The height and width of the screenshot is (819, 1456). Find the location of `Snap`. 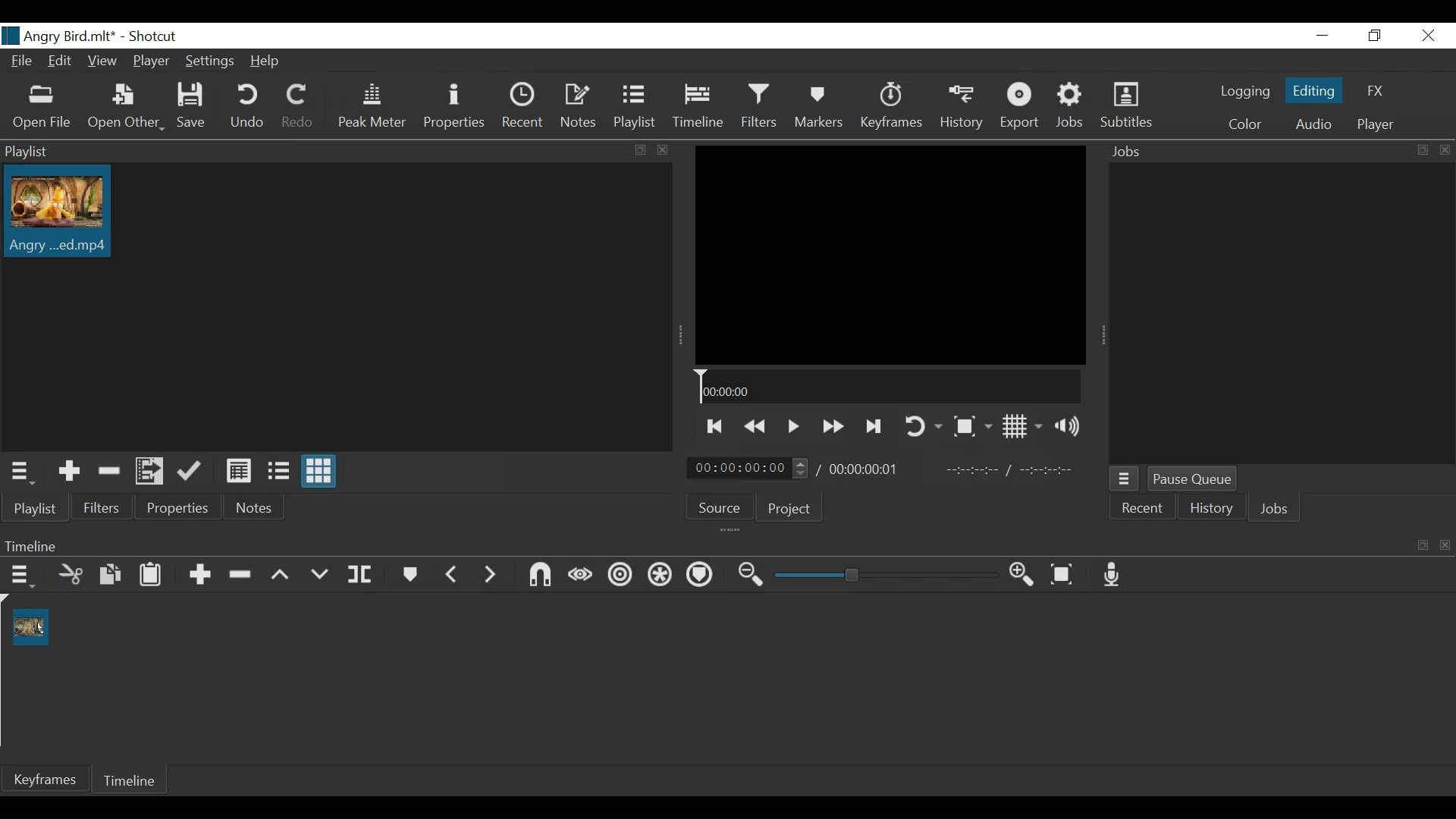

Snap is located at coordinates (539, 575).